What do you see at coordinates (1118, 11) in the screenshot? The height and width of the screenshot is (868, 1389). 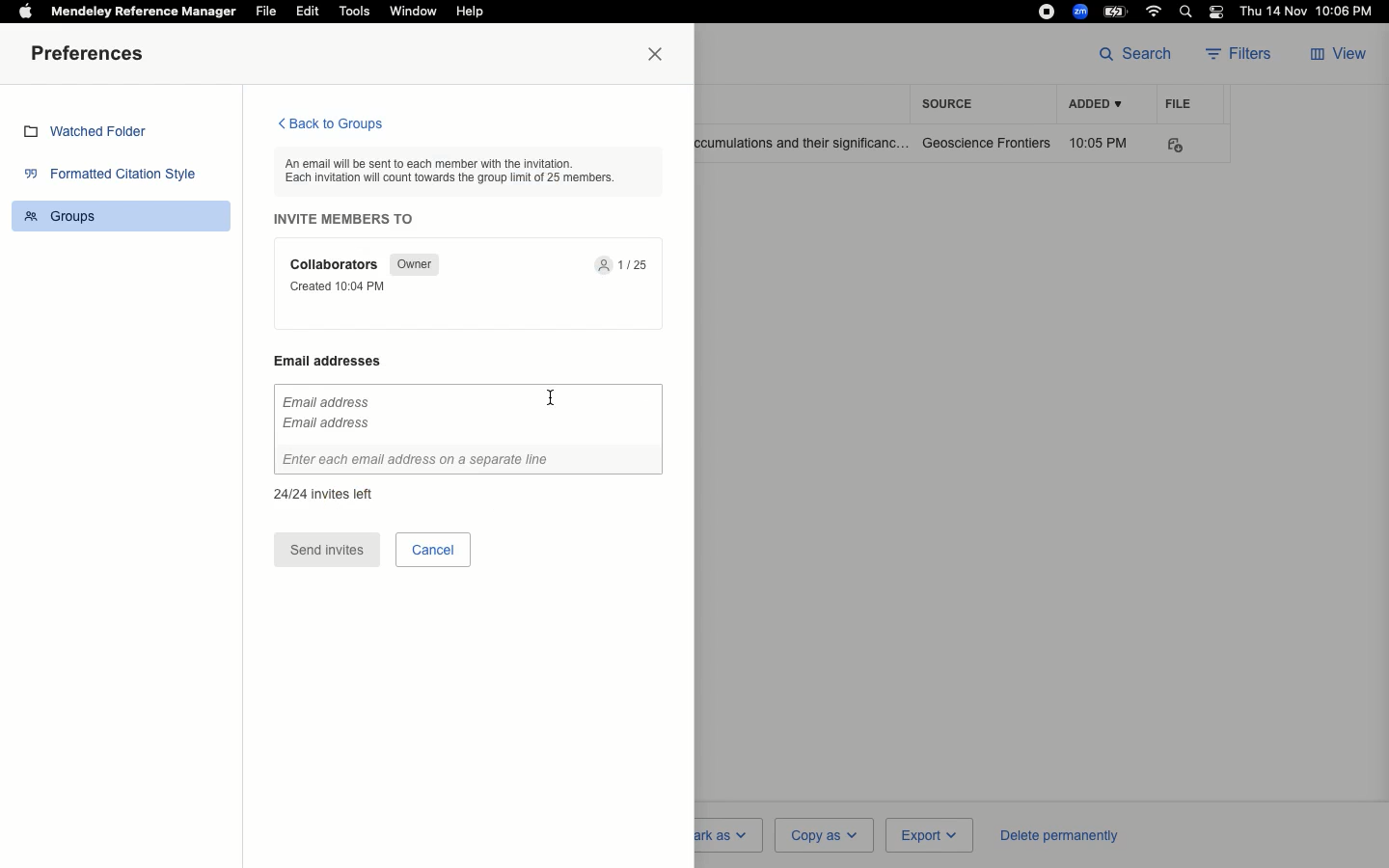 I see `Charge` at bounding box center [1118, 11].